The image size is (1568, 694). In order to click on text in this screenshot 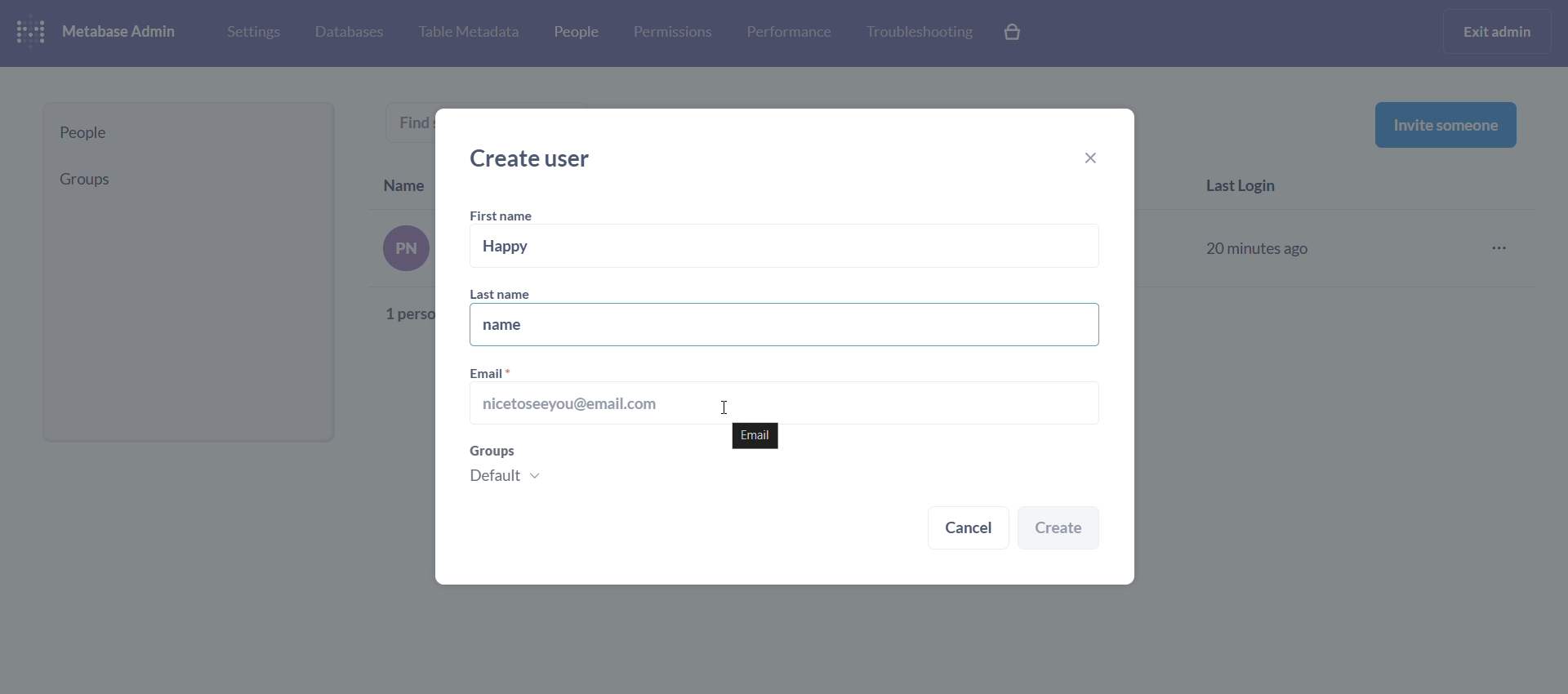, I will do `click(407, 278)`.